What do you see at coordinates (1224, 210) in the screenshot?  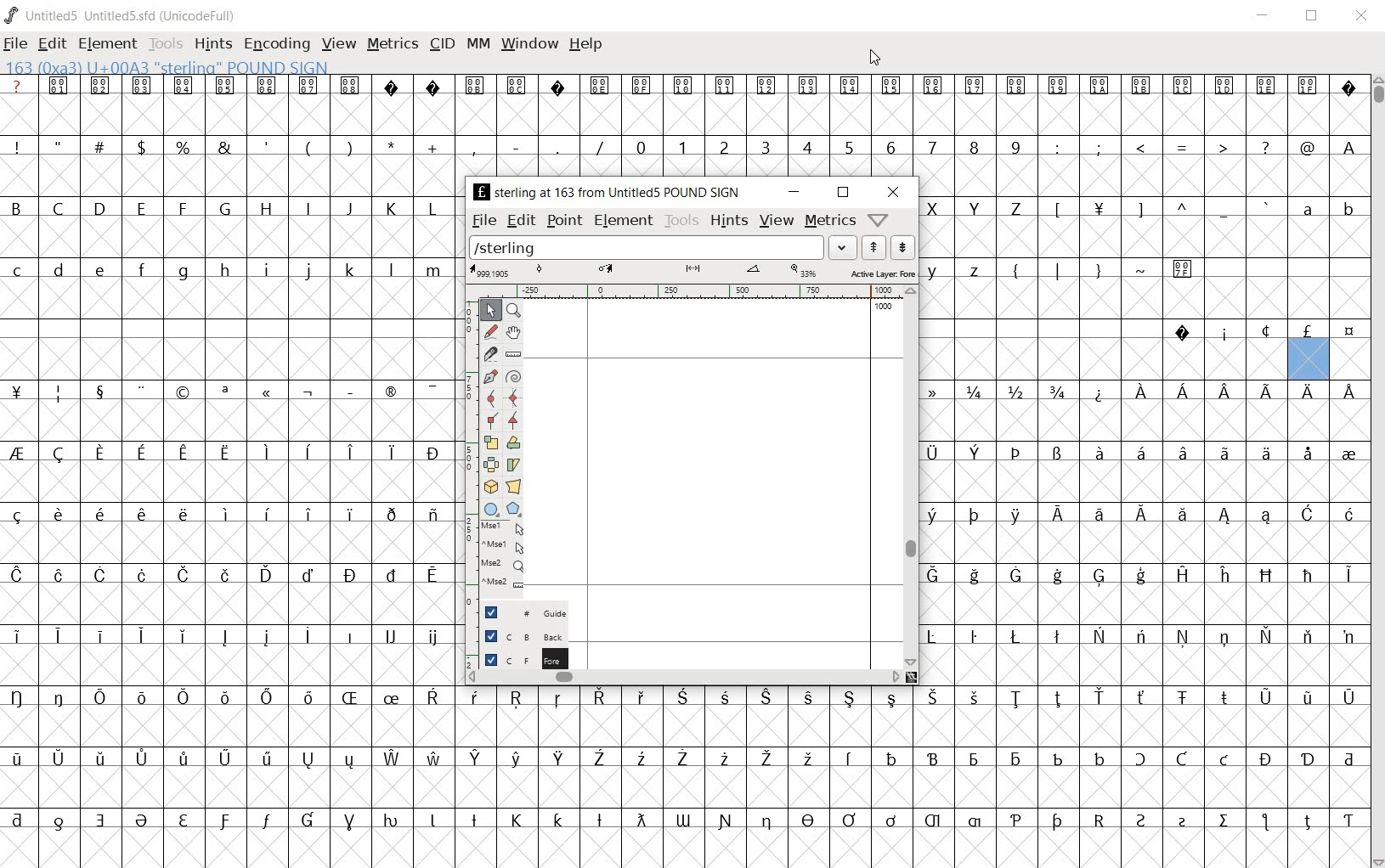 I see `_` at bounding box center [1224, 210].